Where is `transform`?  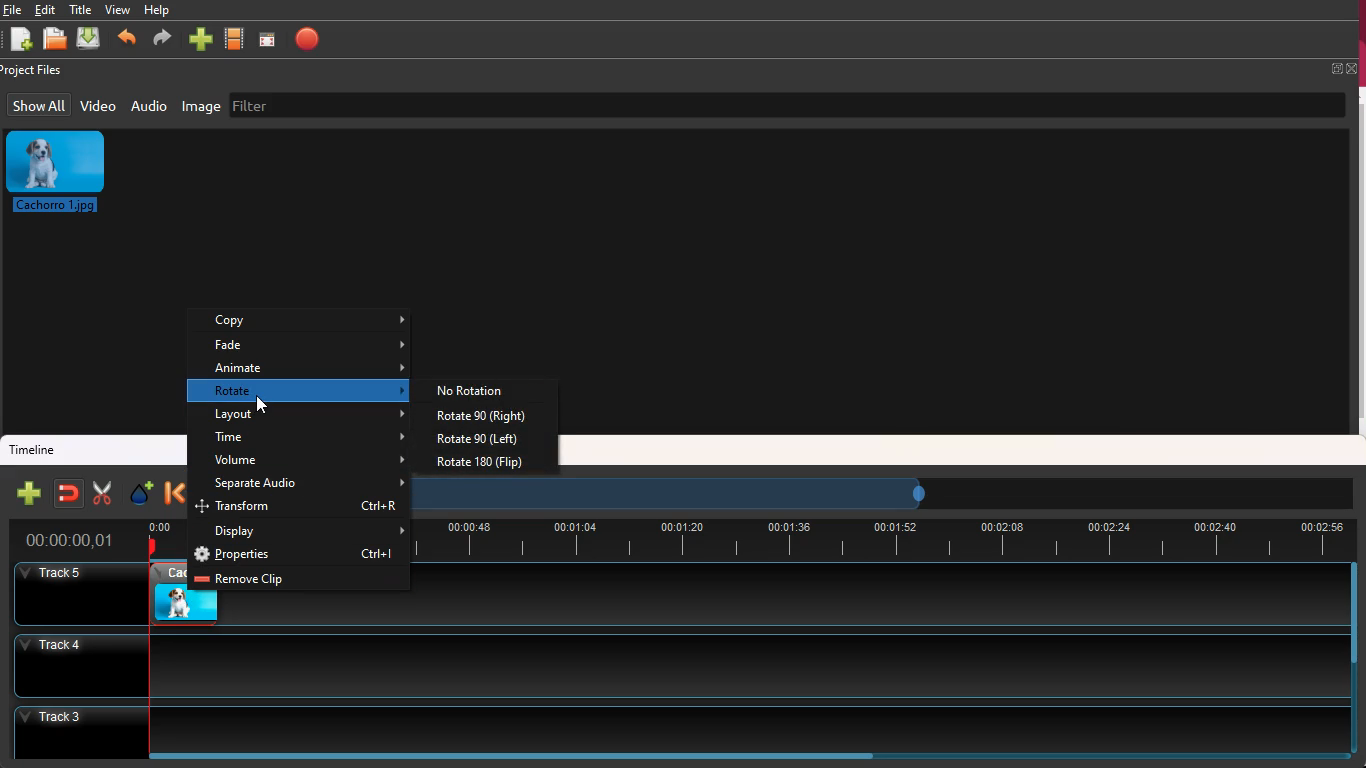
transform is located at coordinates (298, 509).